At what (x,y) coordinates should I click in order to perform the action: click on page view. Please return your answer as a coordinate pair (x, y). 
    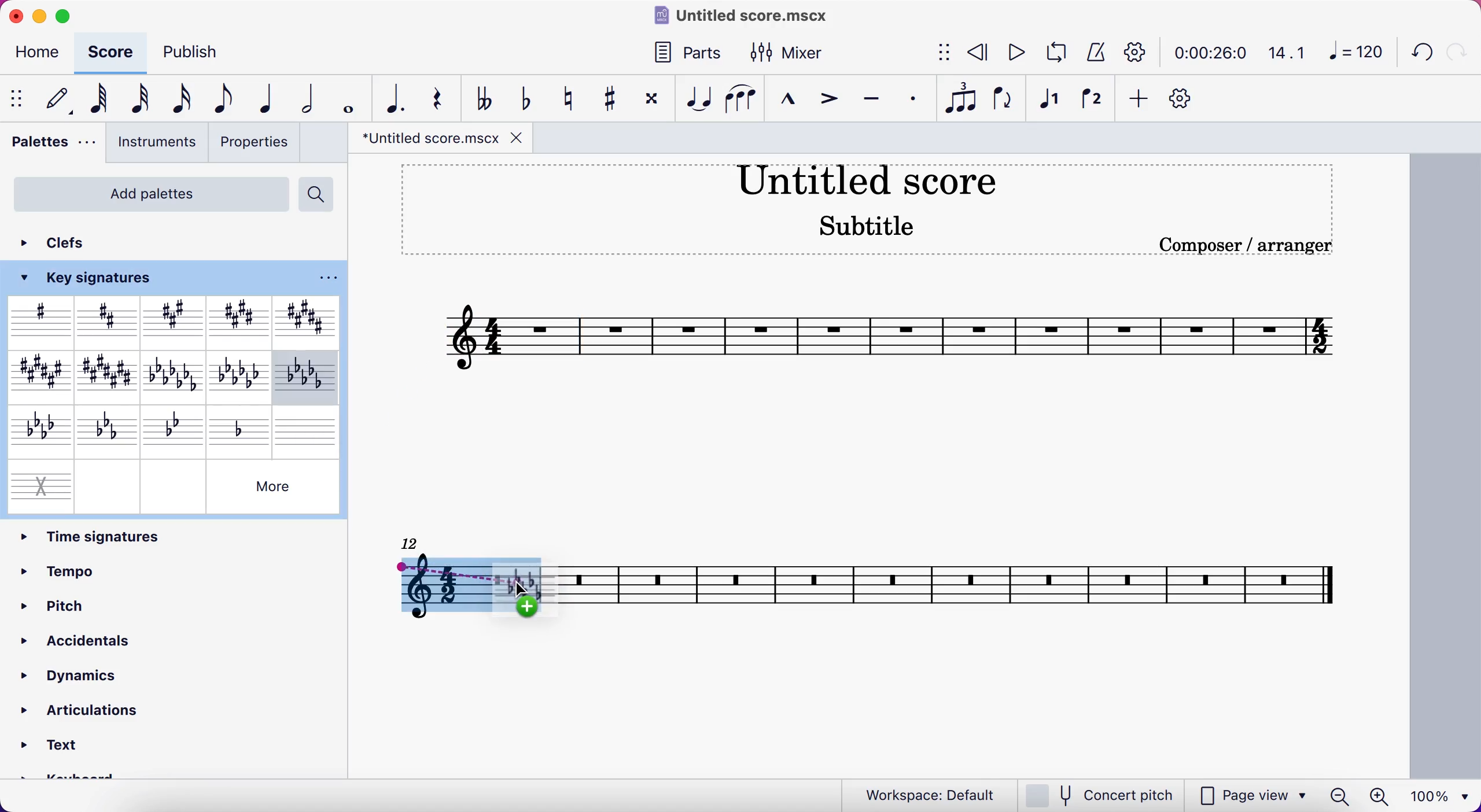
    Looking at the image, I should click on (1251, 795).